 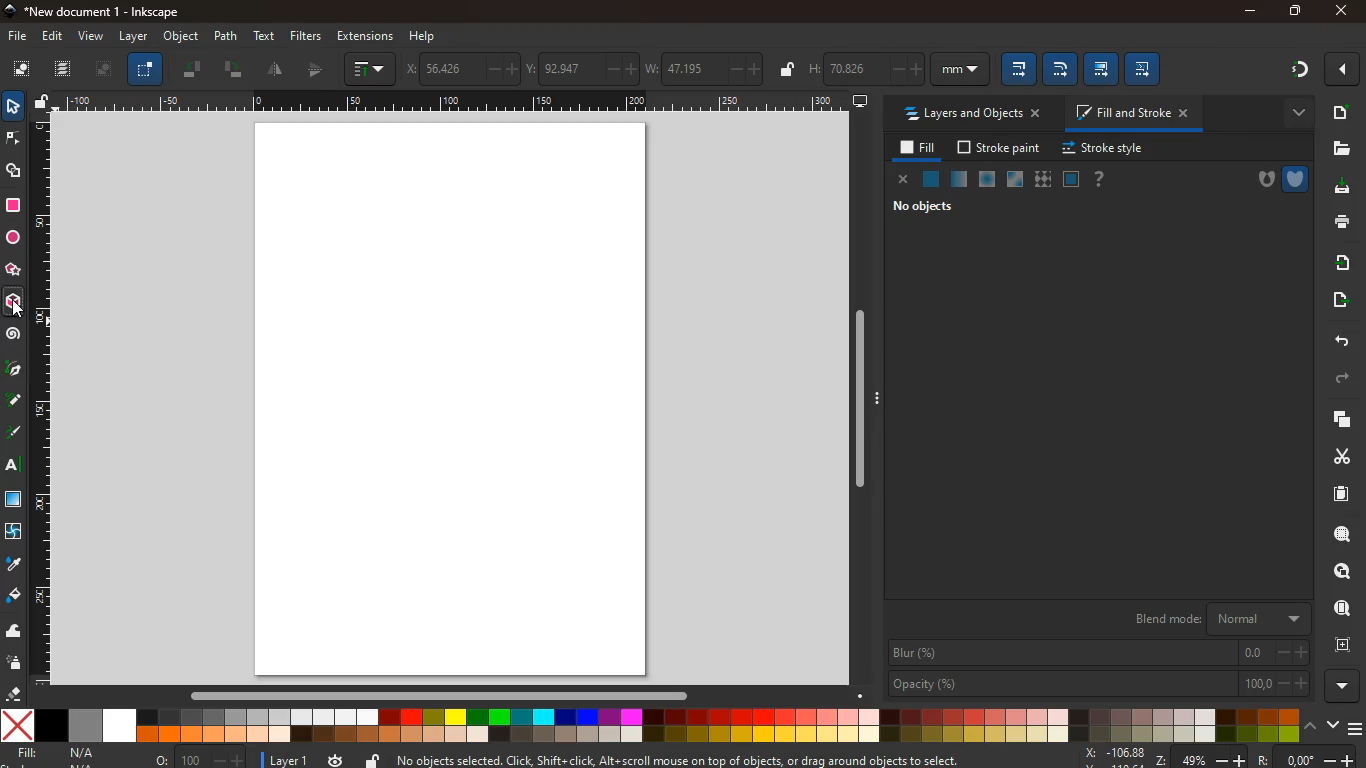 What do you see at coordinates (1100, 149) in the screenshot?
I see `stroke style` at bounding box center [1100, 149].